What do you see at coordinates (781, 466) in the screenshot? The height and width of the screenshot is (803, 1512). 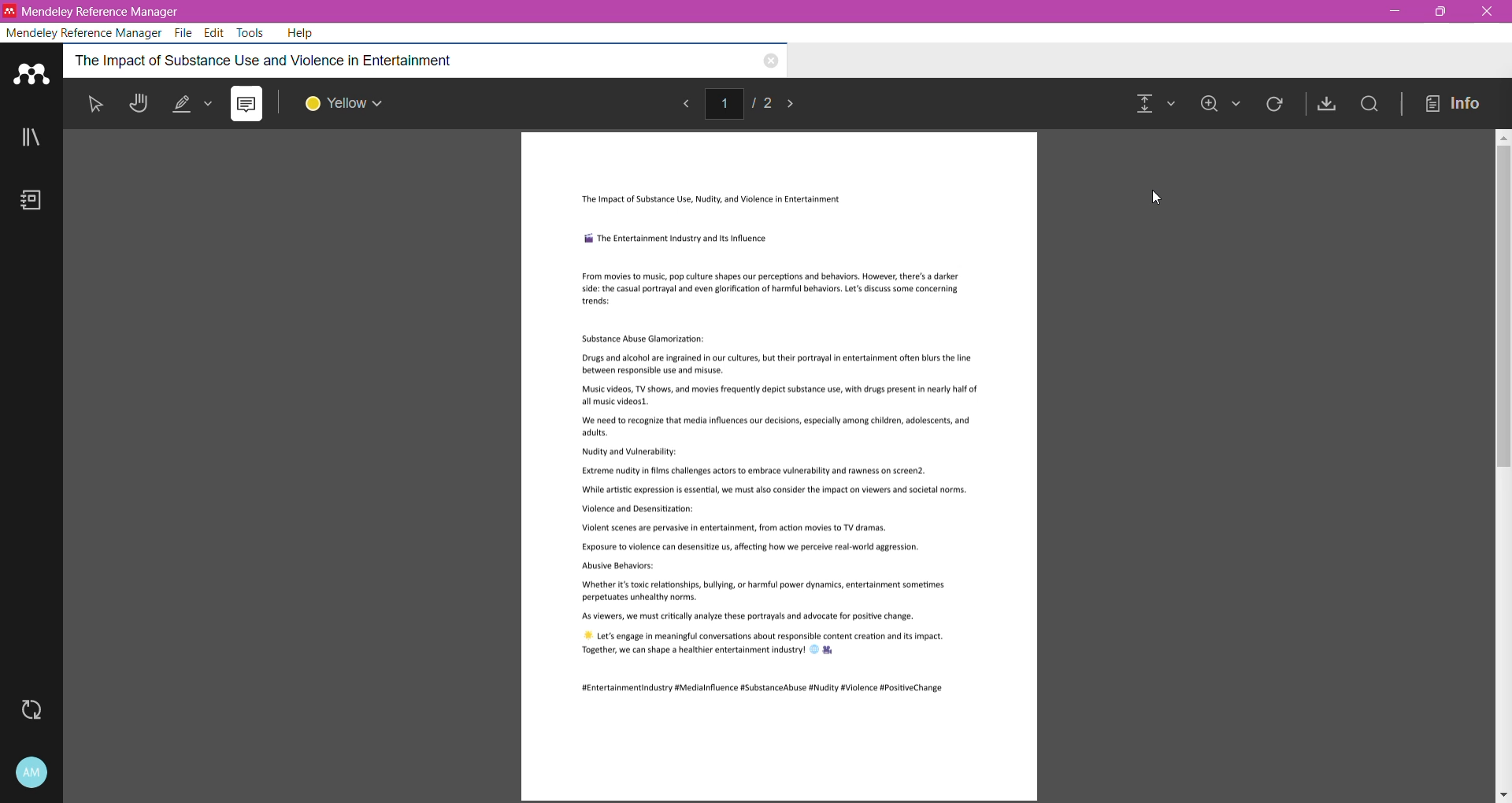 I see `Current Page in Default fit to height View` at bounding box center [781, 466].